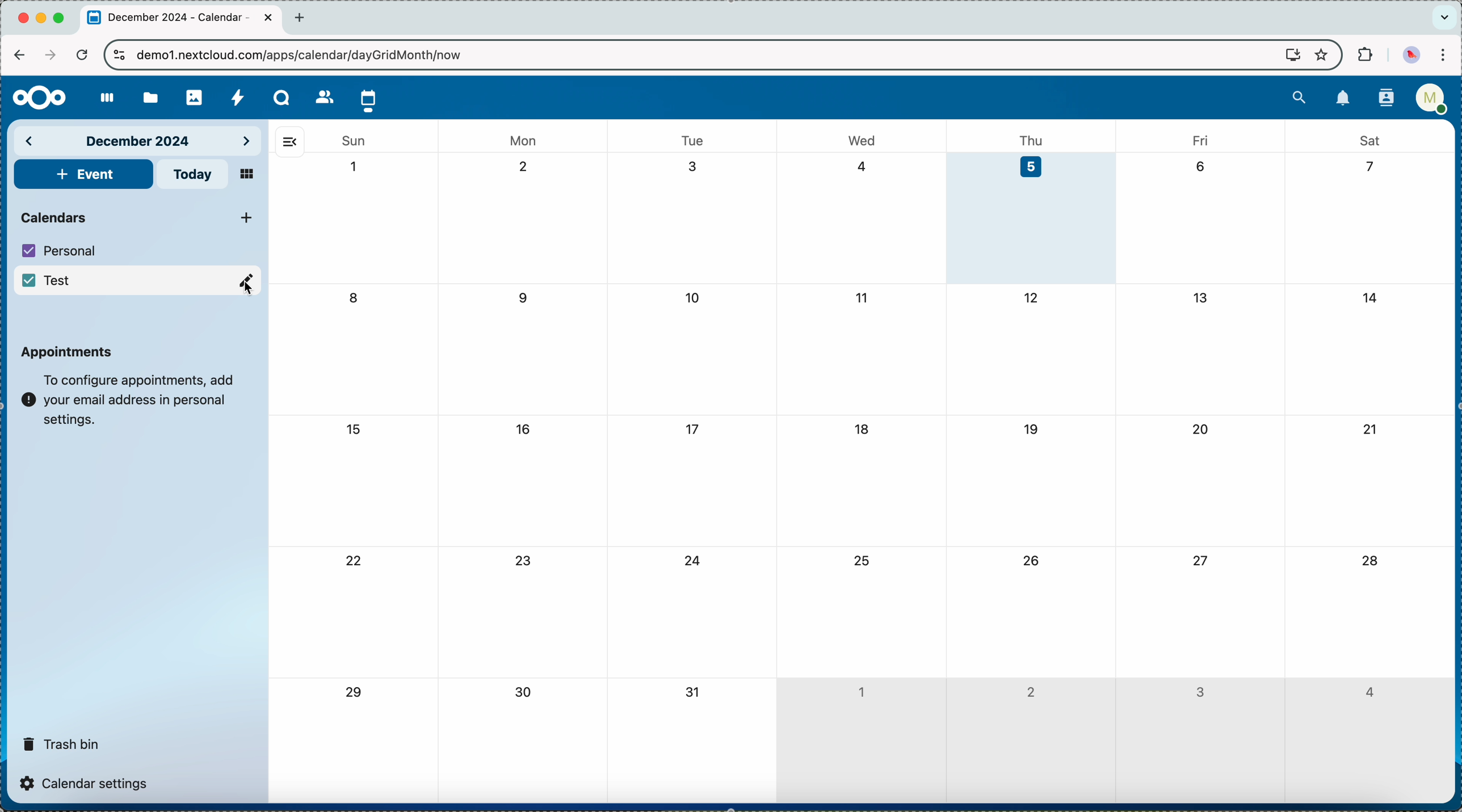 This screenshot has height=812, width=1462. Describe the element at coordinates (246, 218) in the screenshot. I see `click on add new calendar` at that location.